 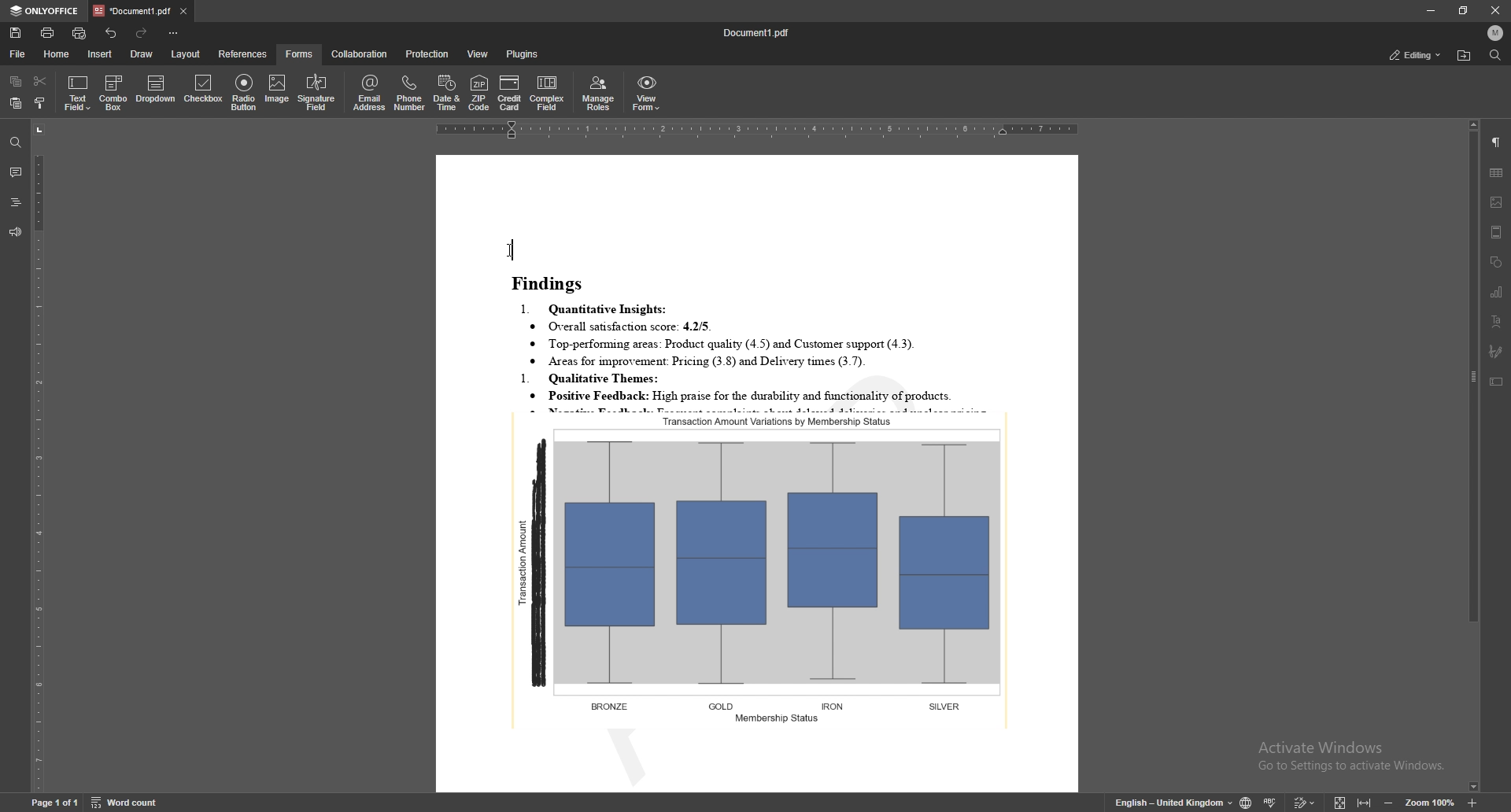 I want to click on view form, so click(x=646, y=94).